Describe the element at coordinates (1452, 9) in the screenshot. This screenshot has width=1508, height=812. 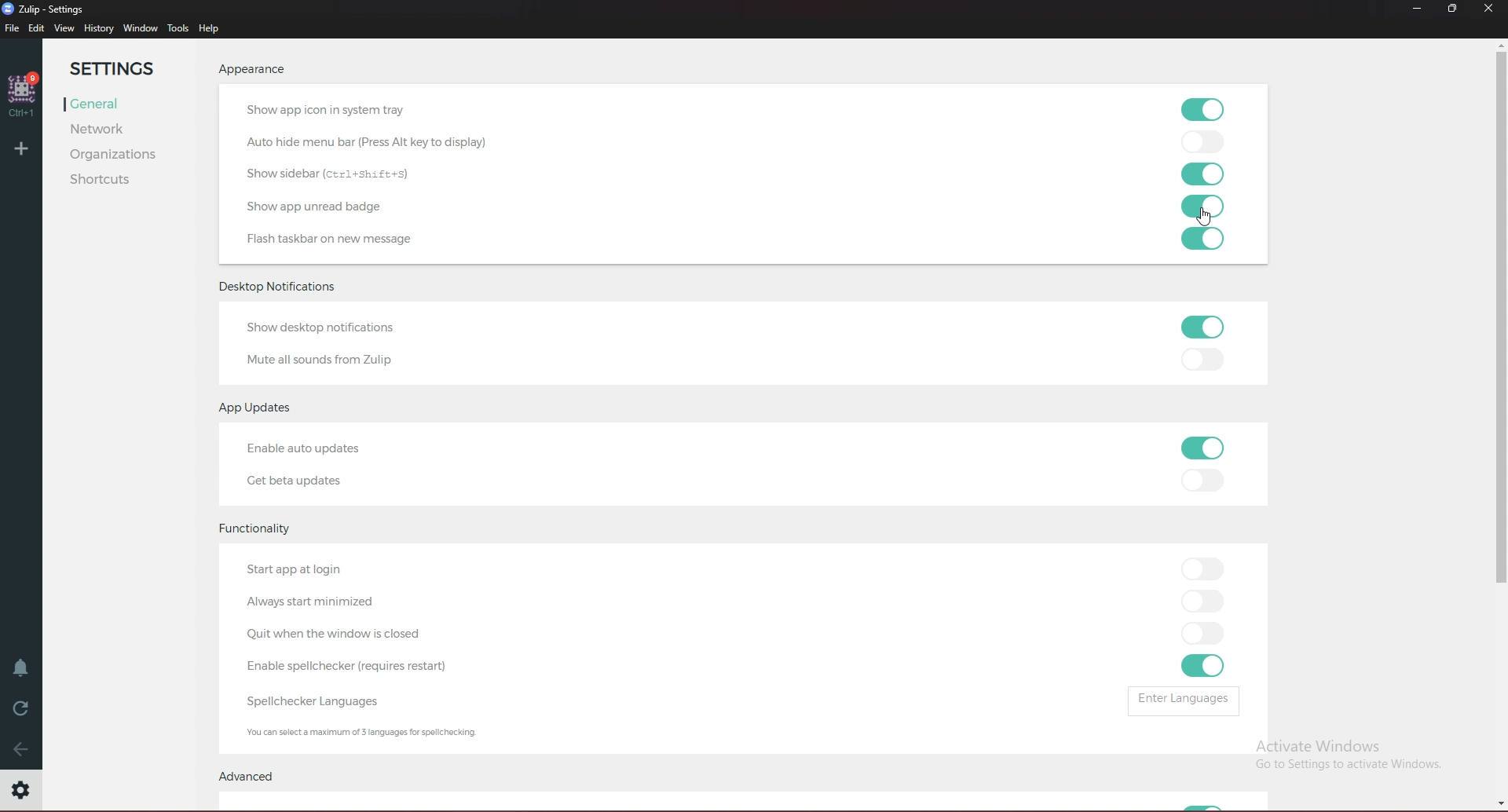
I see `resize` at that location.